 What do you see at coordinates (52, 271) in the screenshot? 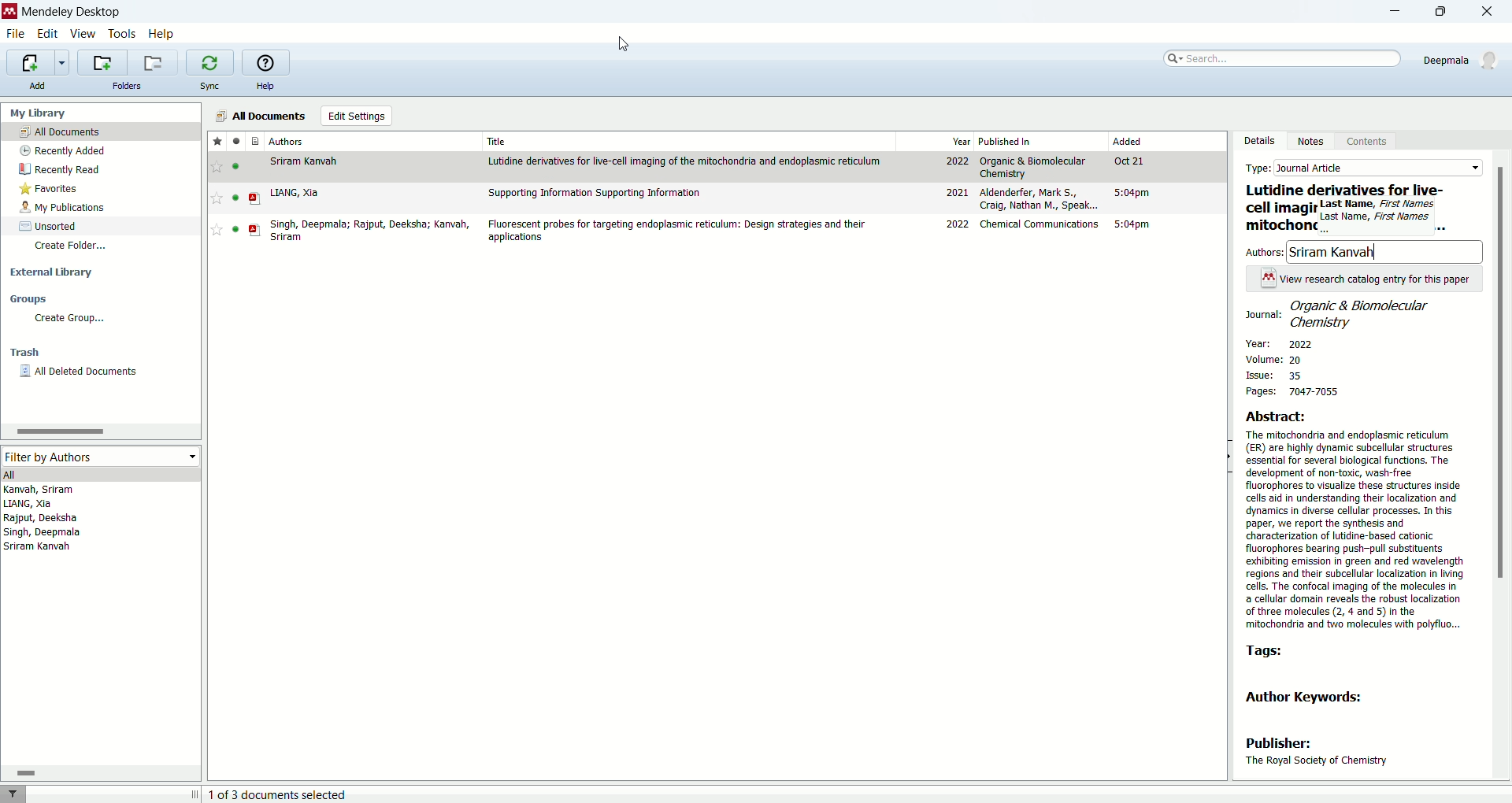
I see `external library` at bounding box center [52, 271].